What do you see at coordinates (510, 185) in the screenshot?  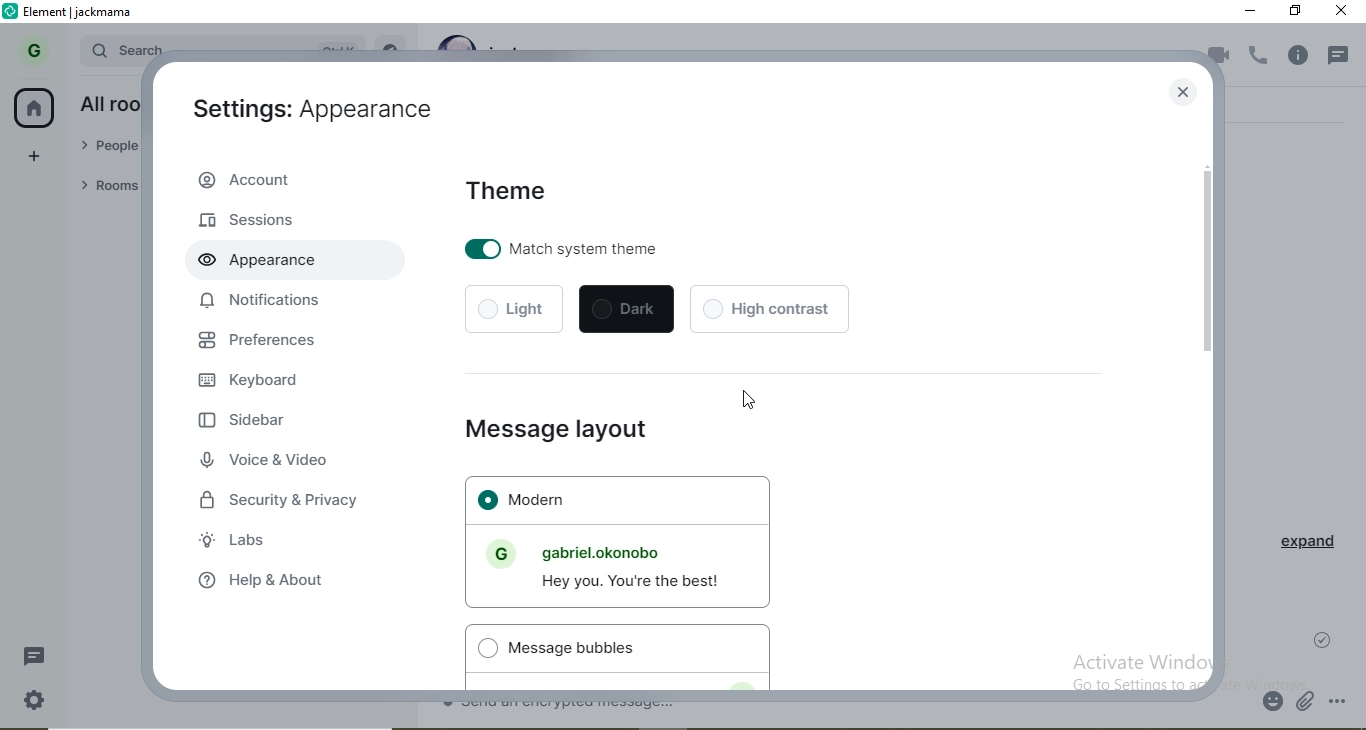 I see `theme` at bounding box center [510, 185].